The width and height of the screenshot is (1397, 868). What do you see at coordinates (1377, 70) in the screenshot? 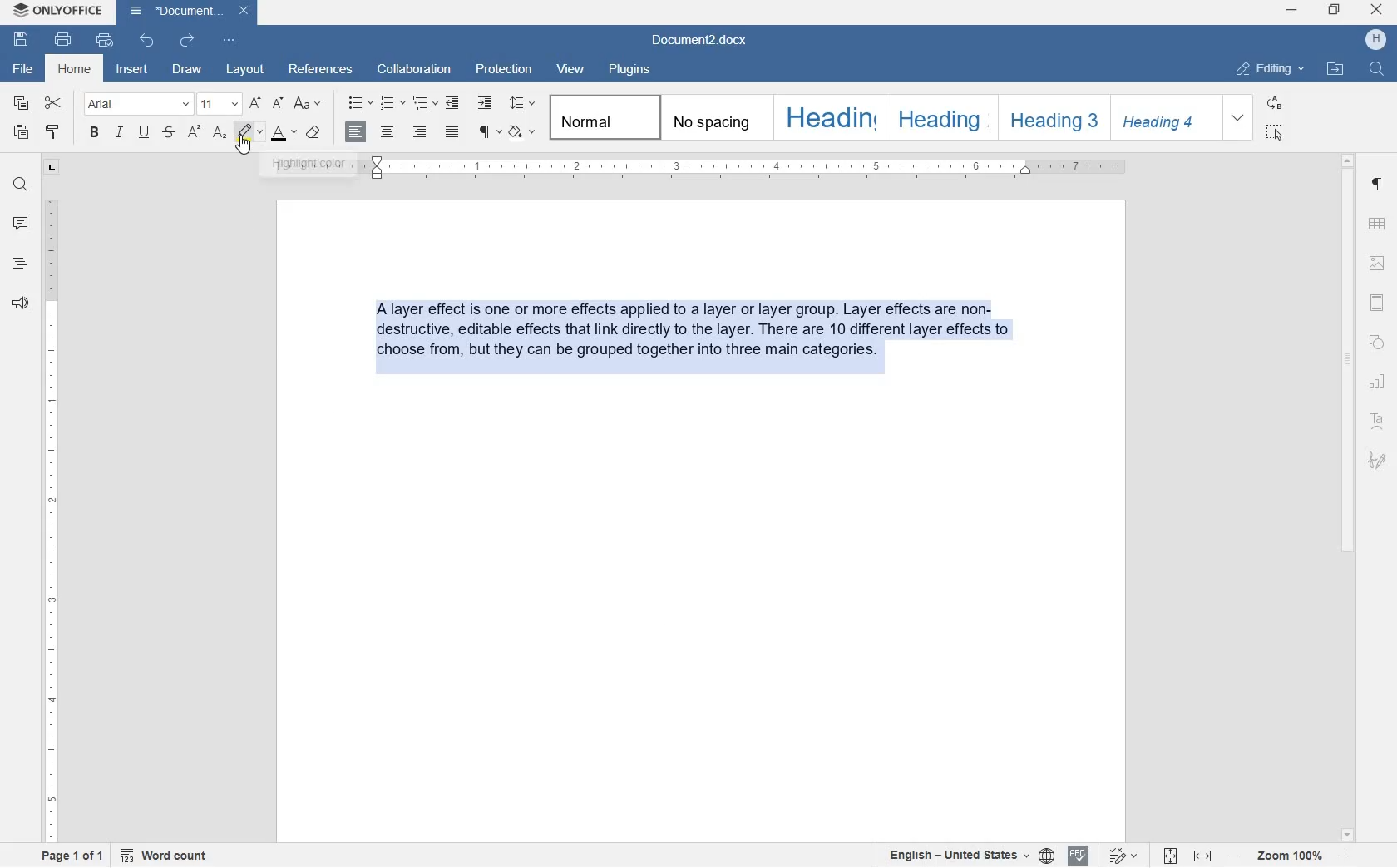
I see `find` at bounding box center [1377, 70].